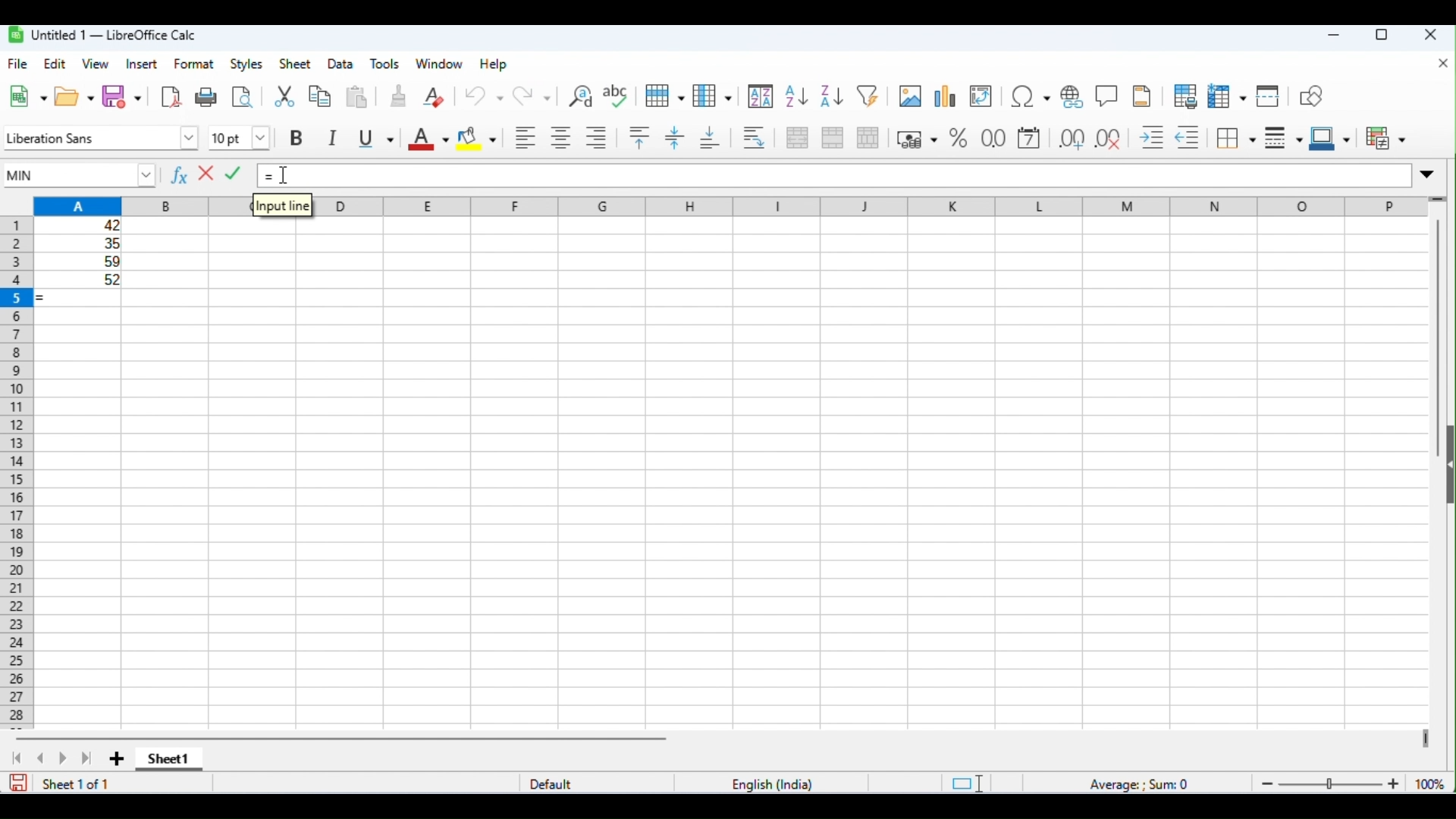 The height and width of the screenshot is (819, 1456). What do you see at coordinates (341, 64) in the screenshot?
I see `data` at bounding box center [341, 64].